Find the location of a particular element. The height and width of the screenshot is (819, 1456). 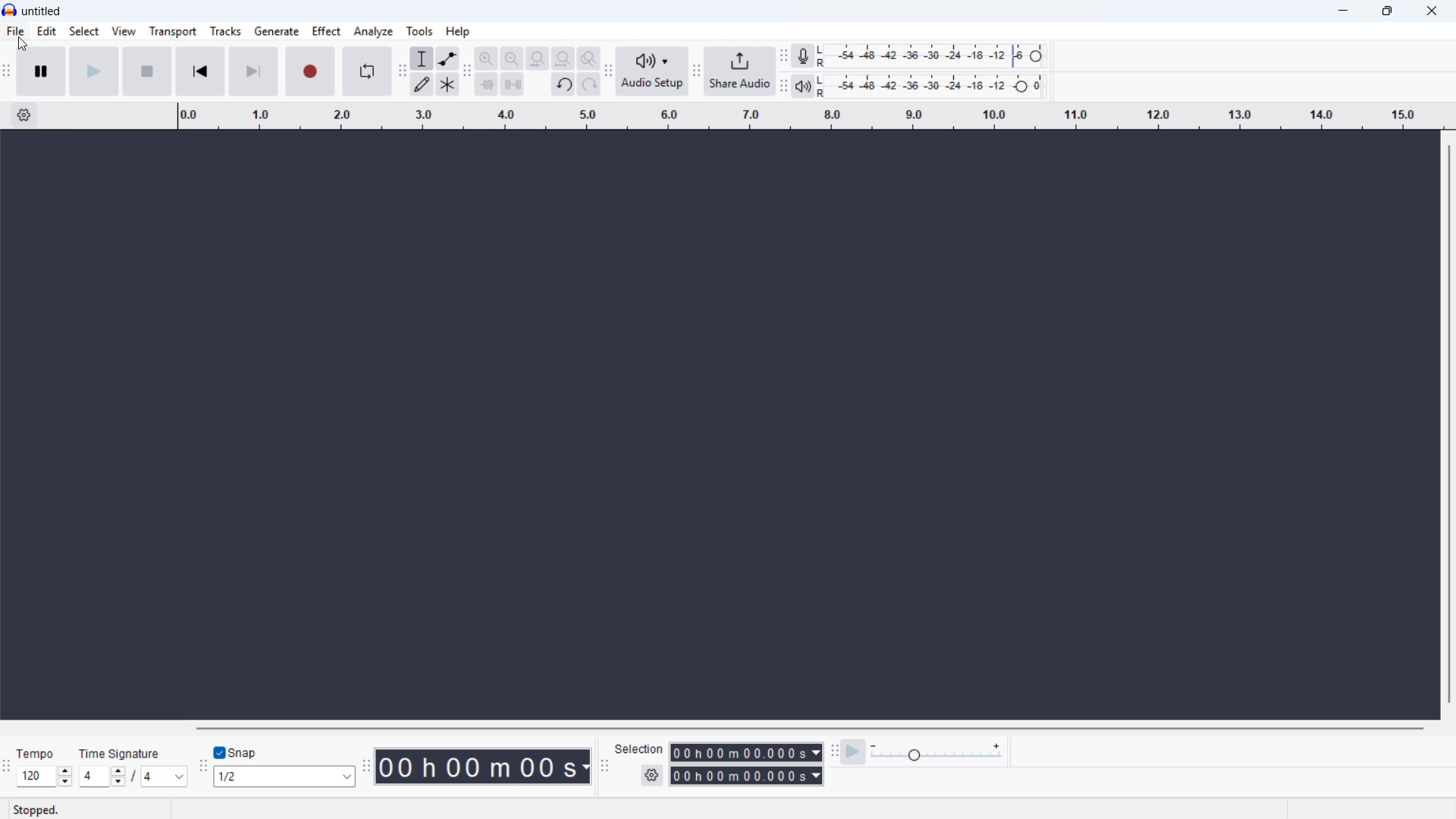

Record  is located at coordinates (310, 71).